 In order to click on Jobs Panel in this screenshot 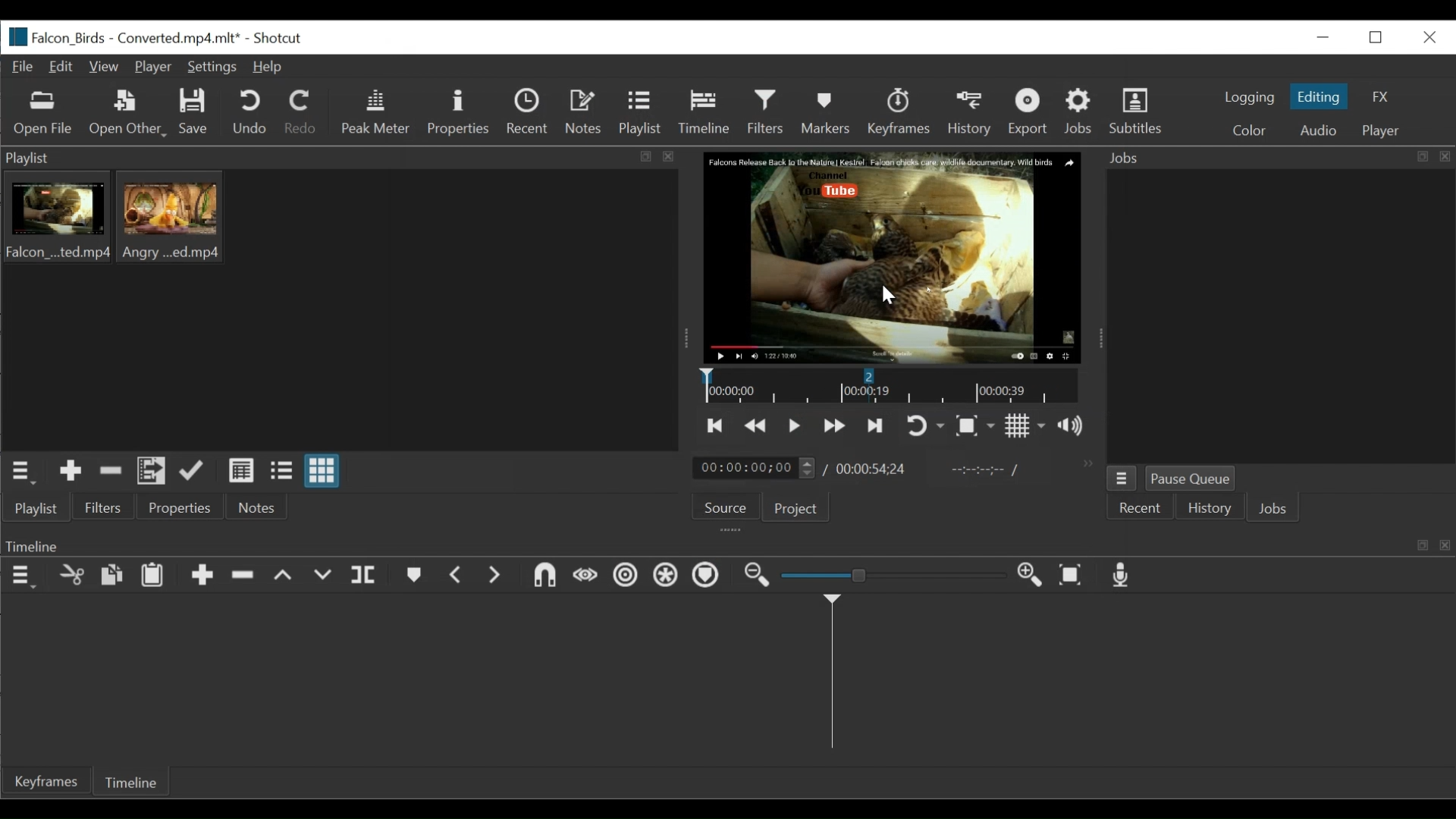, I will do `click(1276, 158)`.